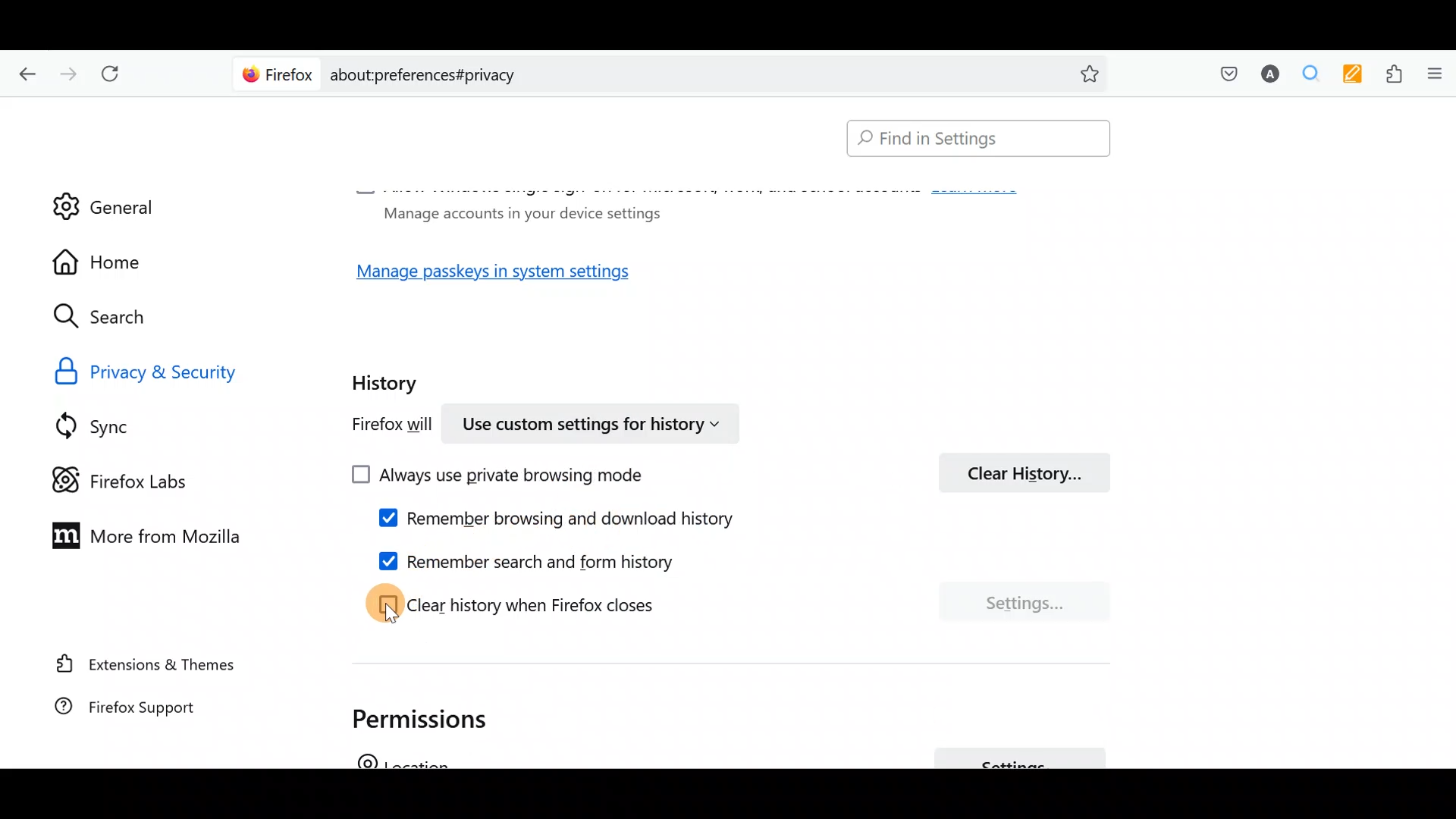 This screenshot has width=1456, height=819. What do you see at coordinates (1390, 74) in the screenshot?
I see `Extensions` at bounding box center [1390, 74].